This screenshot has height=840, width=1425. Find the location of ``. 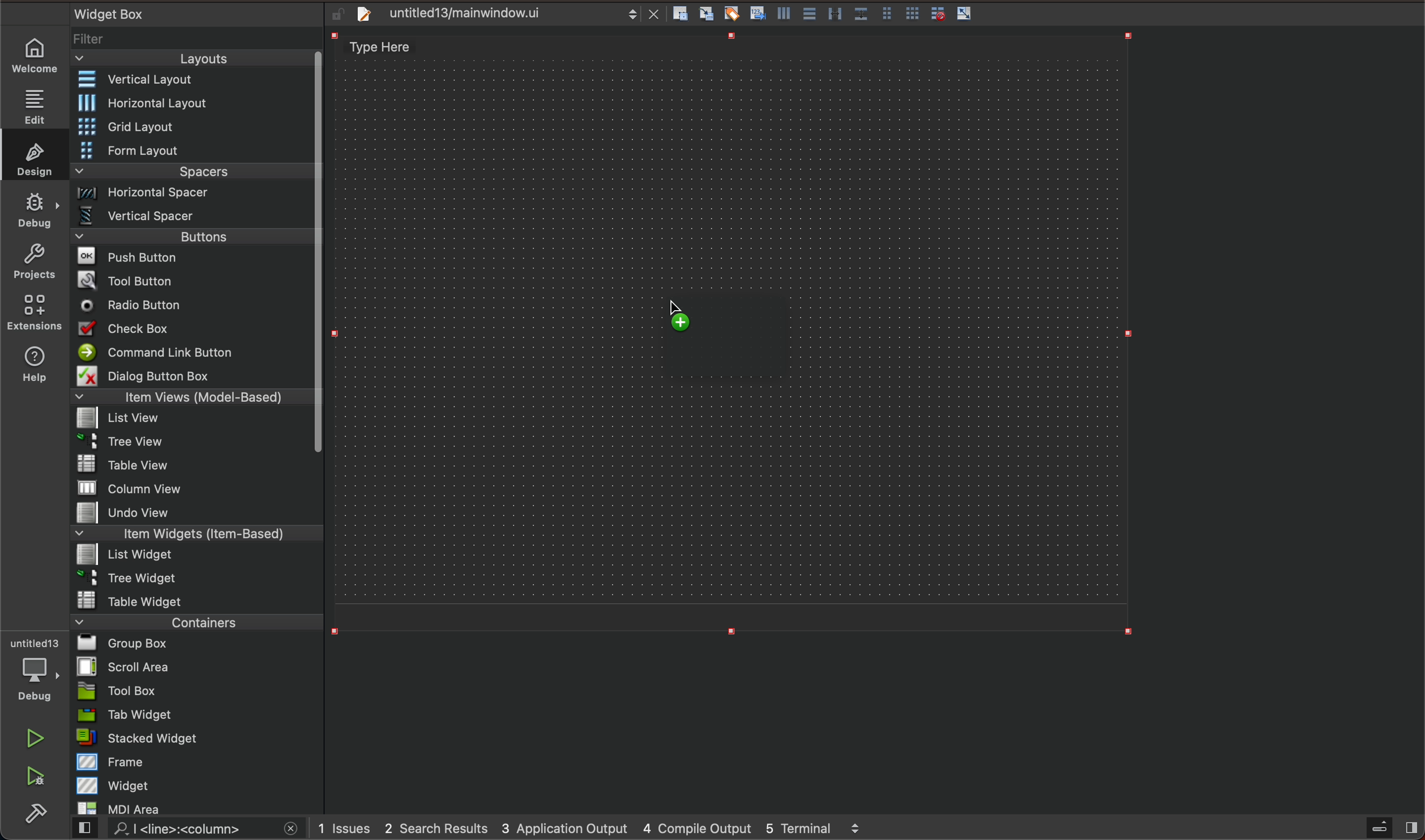

 is located at coordinates (682, 14).